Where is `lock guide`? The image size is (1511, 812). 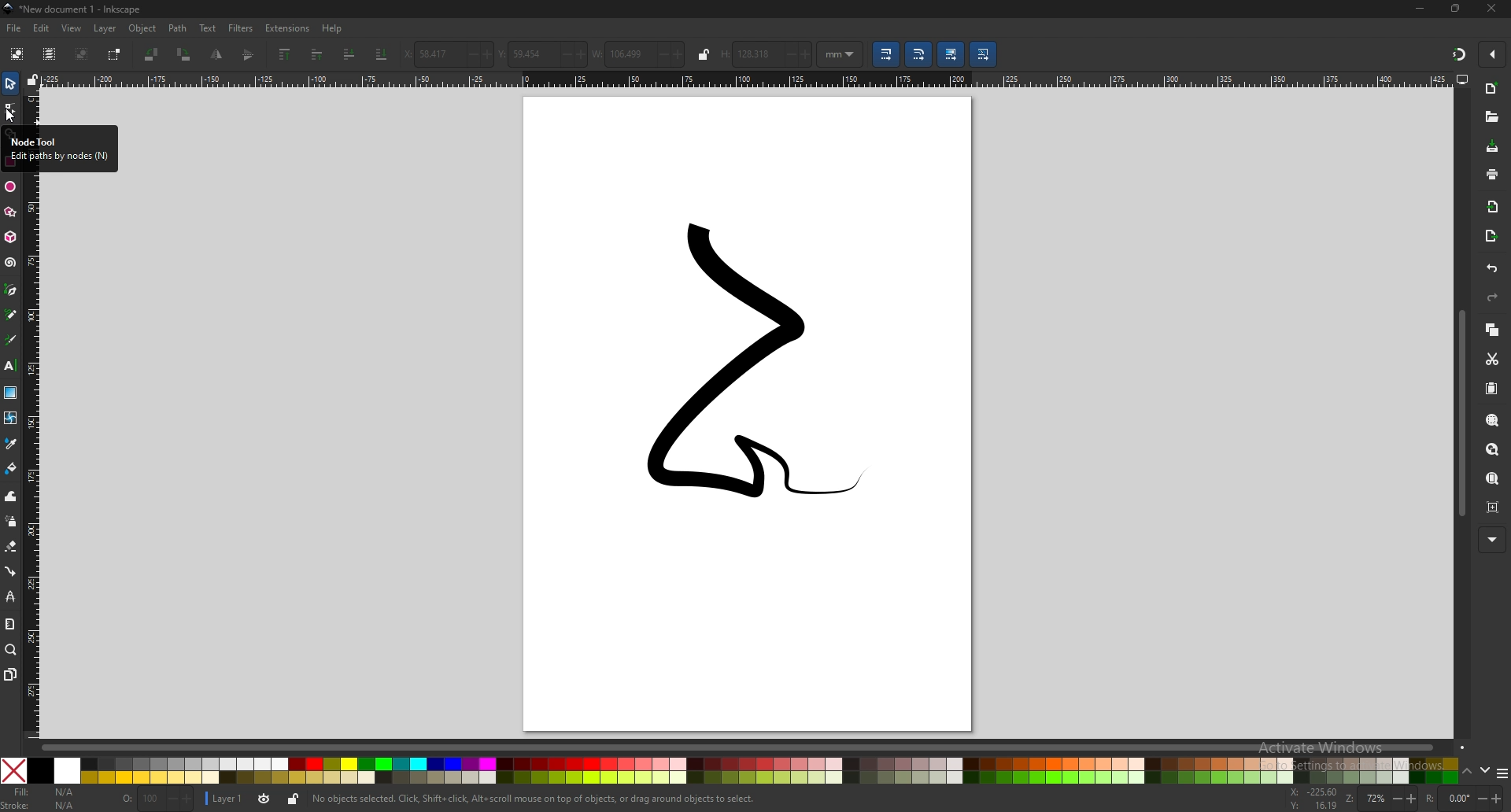
lock guide is located at coordinates (31, 79).